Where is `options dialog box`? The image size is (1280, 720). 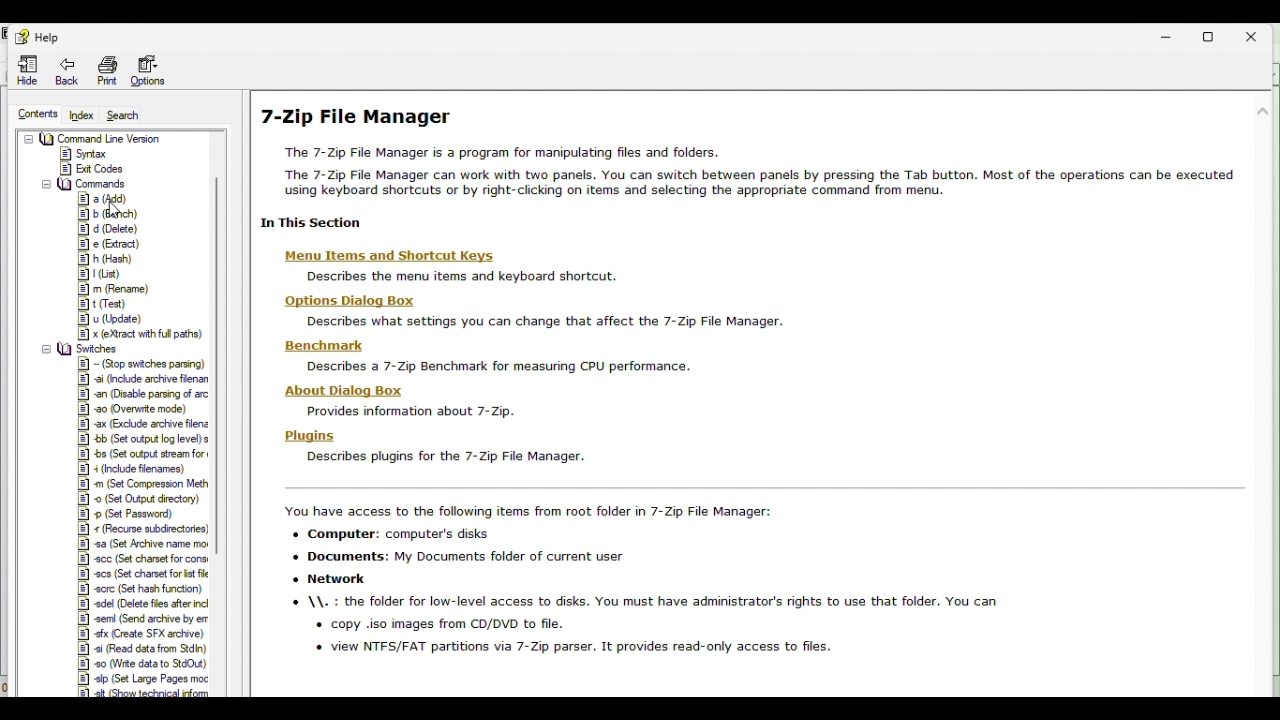 options dialog box is located at coordinates (344, 301).